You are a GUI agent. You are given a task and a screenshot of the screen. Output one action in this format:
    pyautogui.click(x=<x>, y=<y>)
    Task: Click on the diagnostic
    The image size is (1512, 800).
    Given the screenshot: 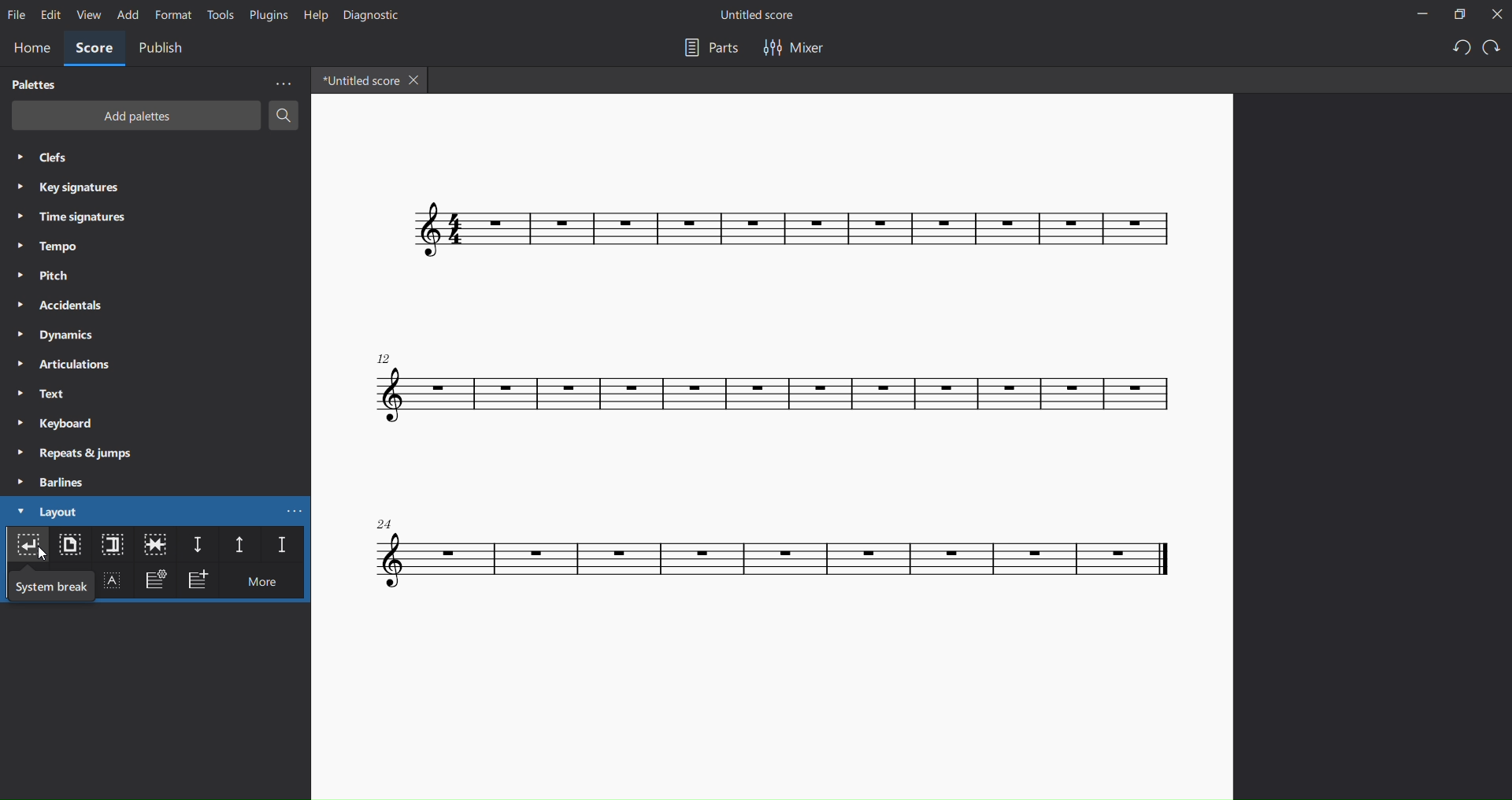 What is the action you would take?
    pyautogui.click(x=369, y=15)
    